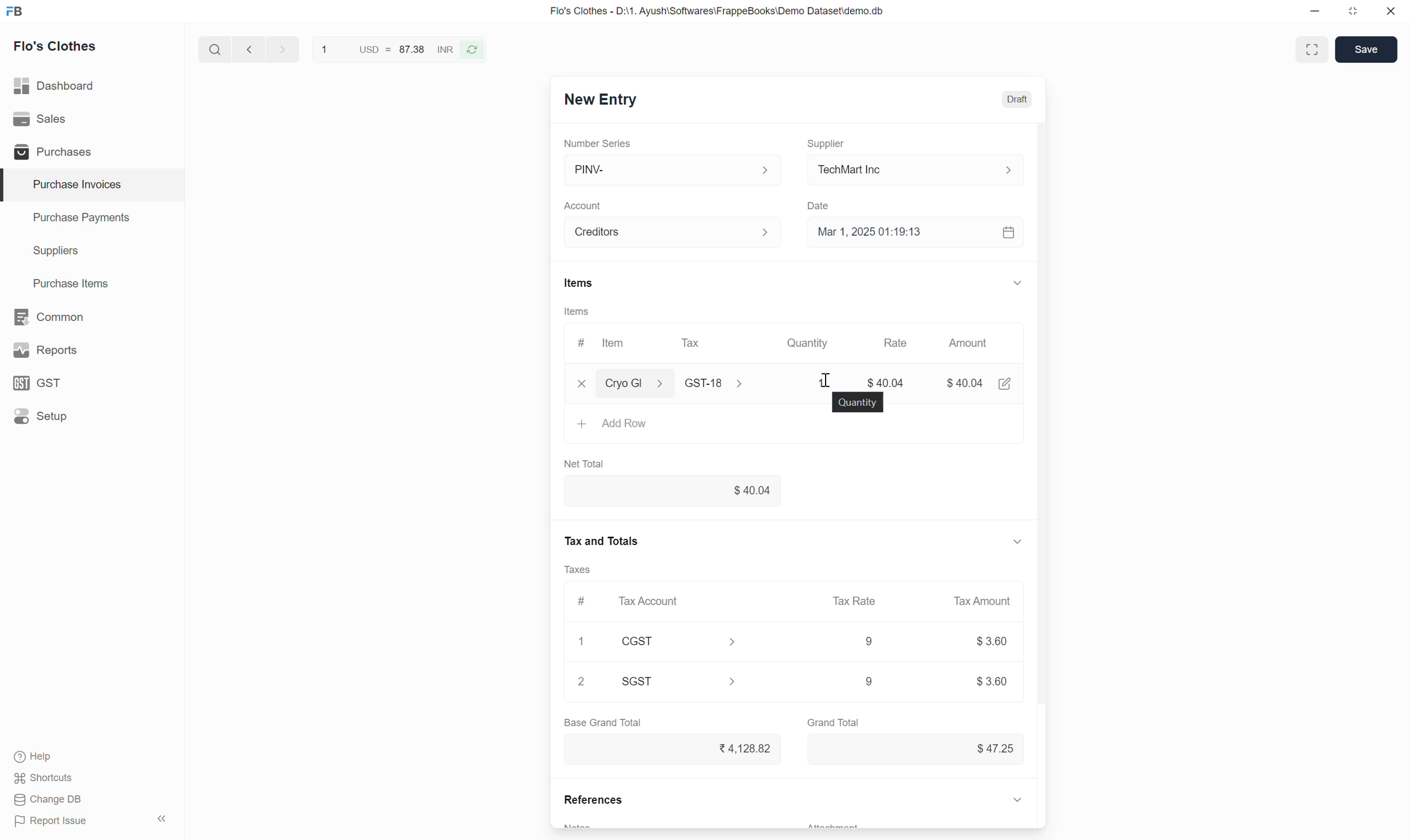  I want to click on expand, so click(1026, 282).